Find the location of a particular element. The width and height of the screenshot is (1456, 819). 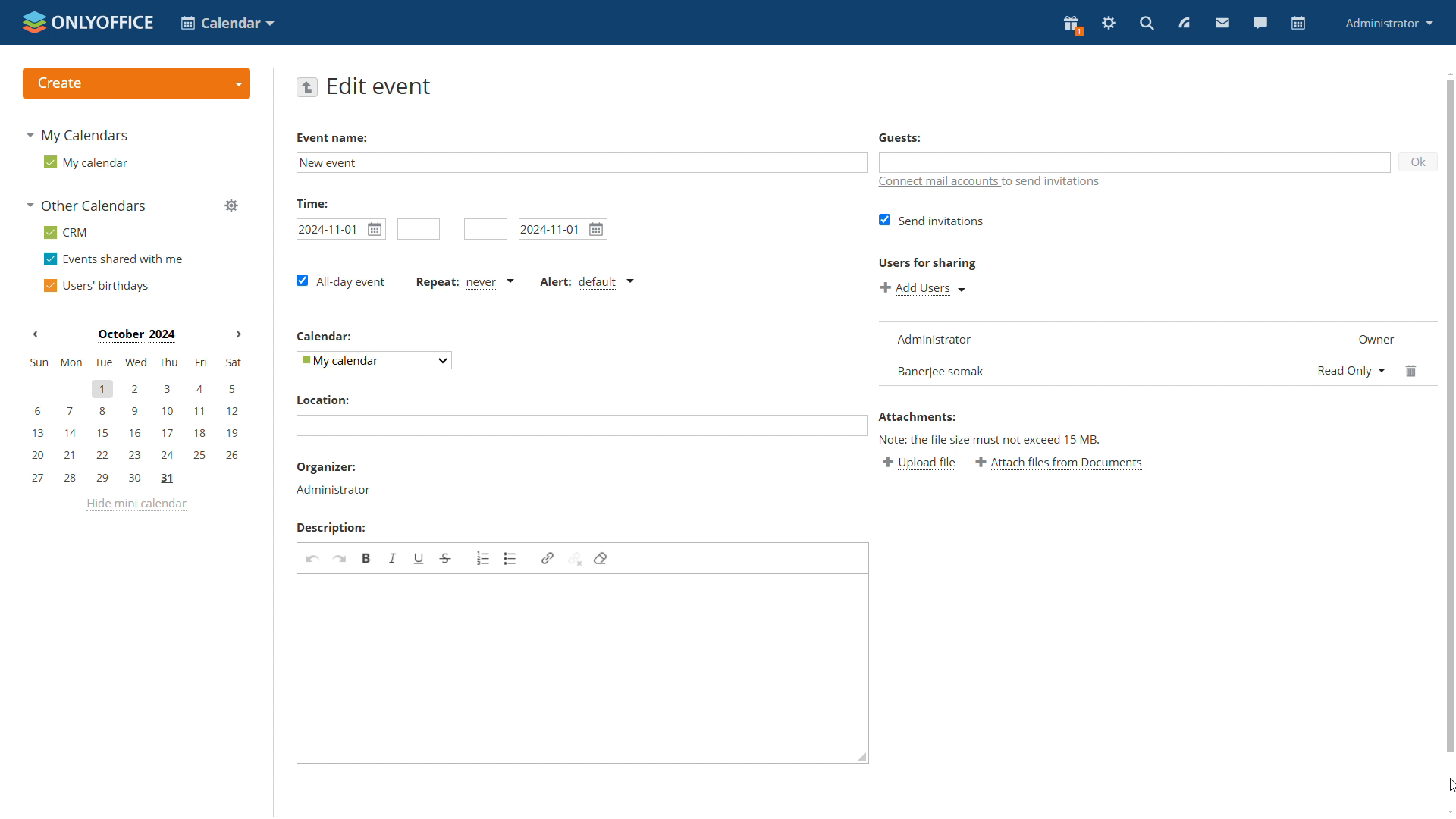

crm is located at coordinates (67, 232).